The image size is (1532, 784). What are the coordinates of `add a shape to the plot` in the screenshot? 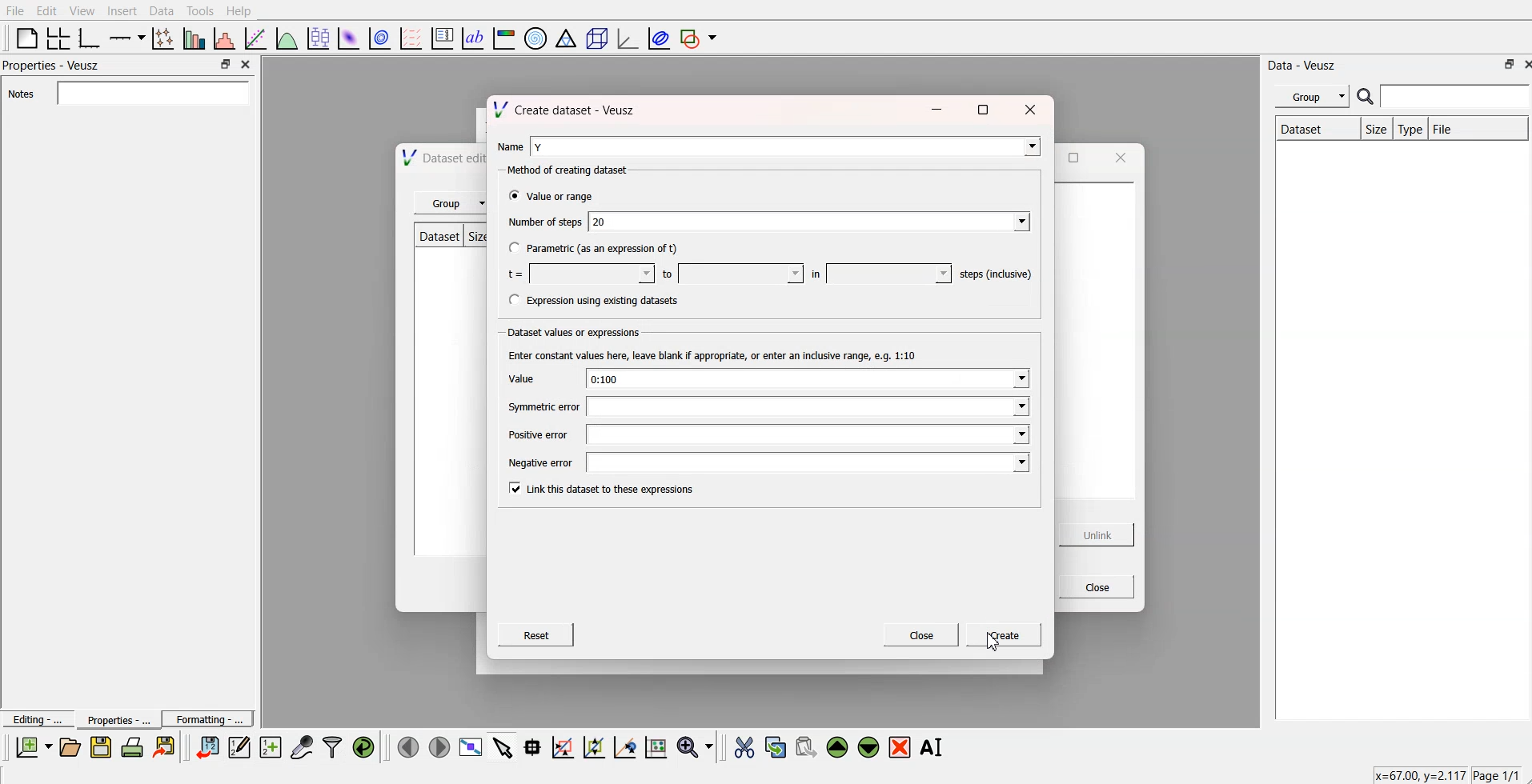 It's located at (700, 38).